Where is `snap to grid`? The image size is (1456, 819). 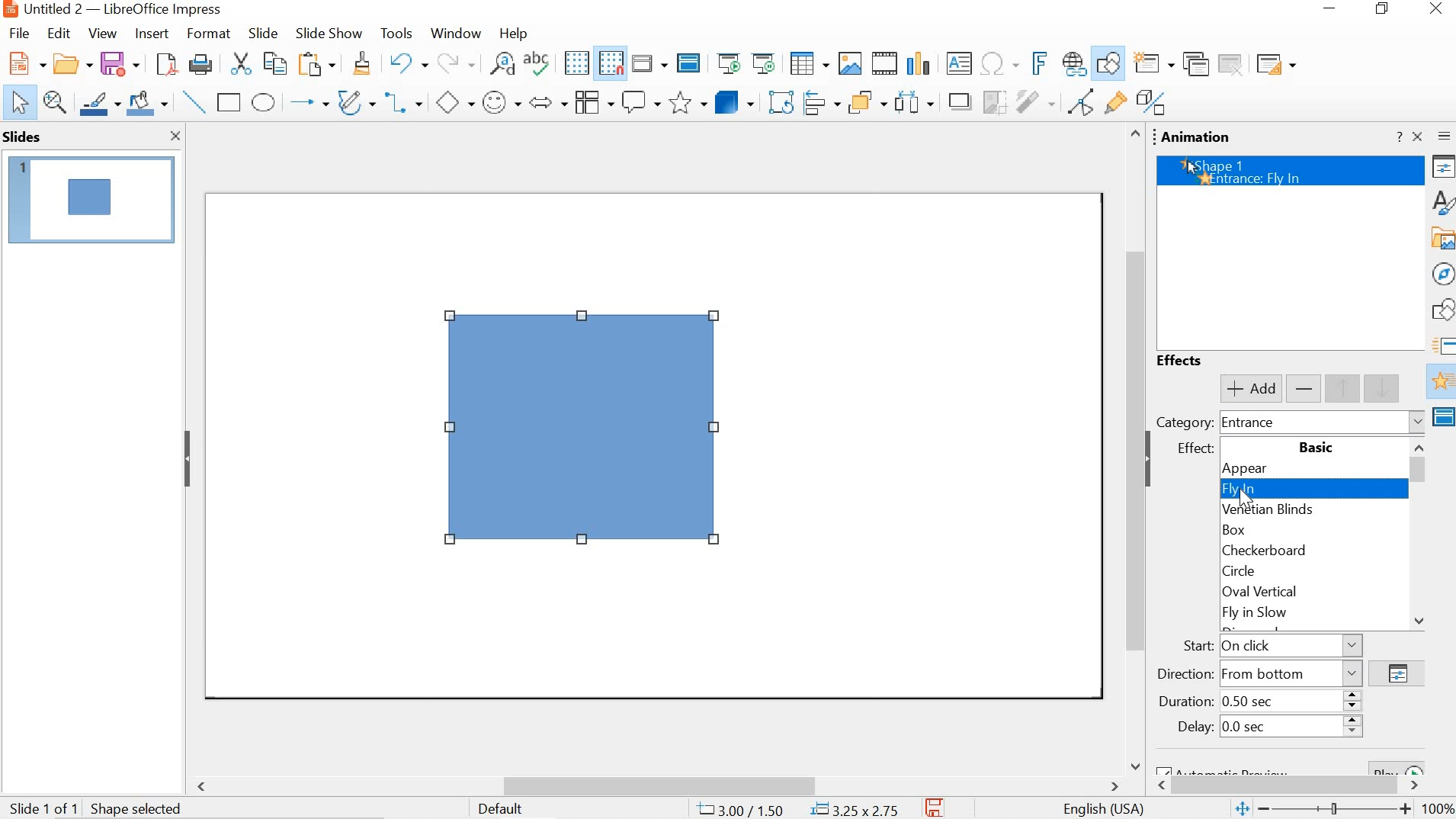
snap to grid is located at coordinates (611, 64).